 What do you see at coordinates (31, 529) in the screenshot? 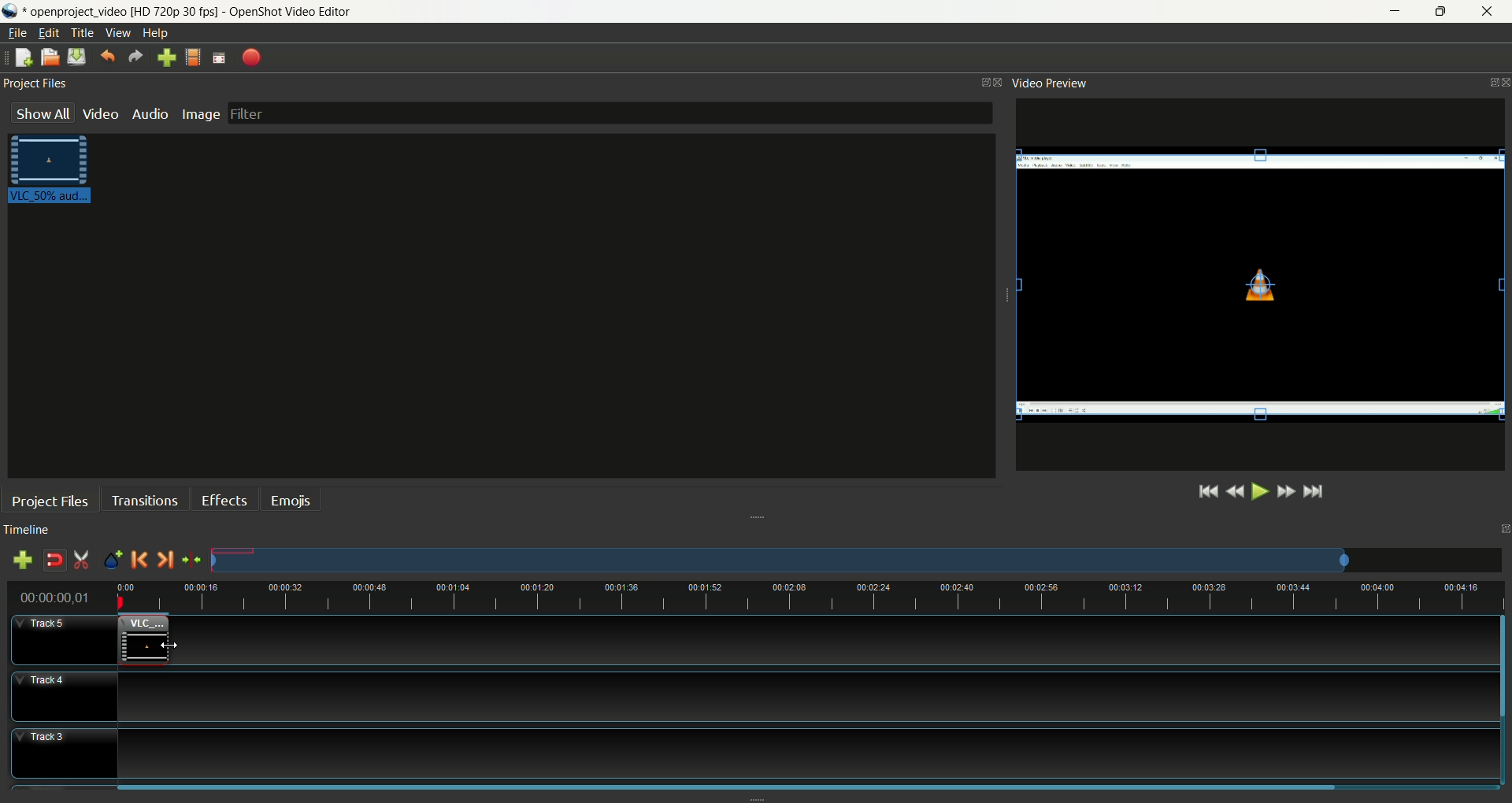
I see `timeline` at bounding box center [31, 529].